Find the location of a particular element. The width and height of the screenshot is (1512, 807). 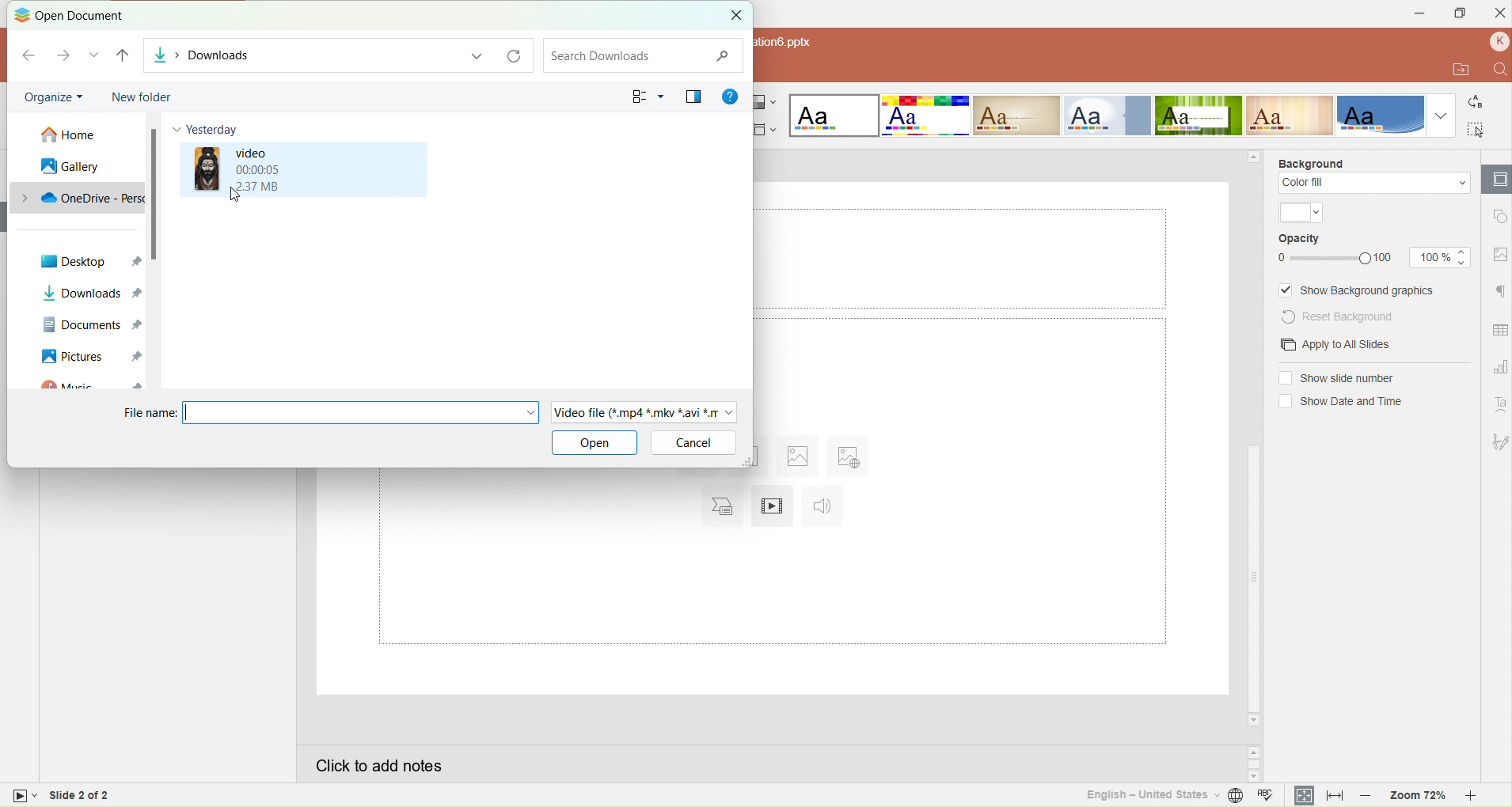

Insert video is located at coordinates (772, 508).